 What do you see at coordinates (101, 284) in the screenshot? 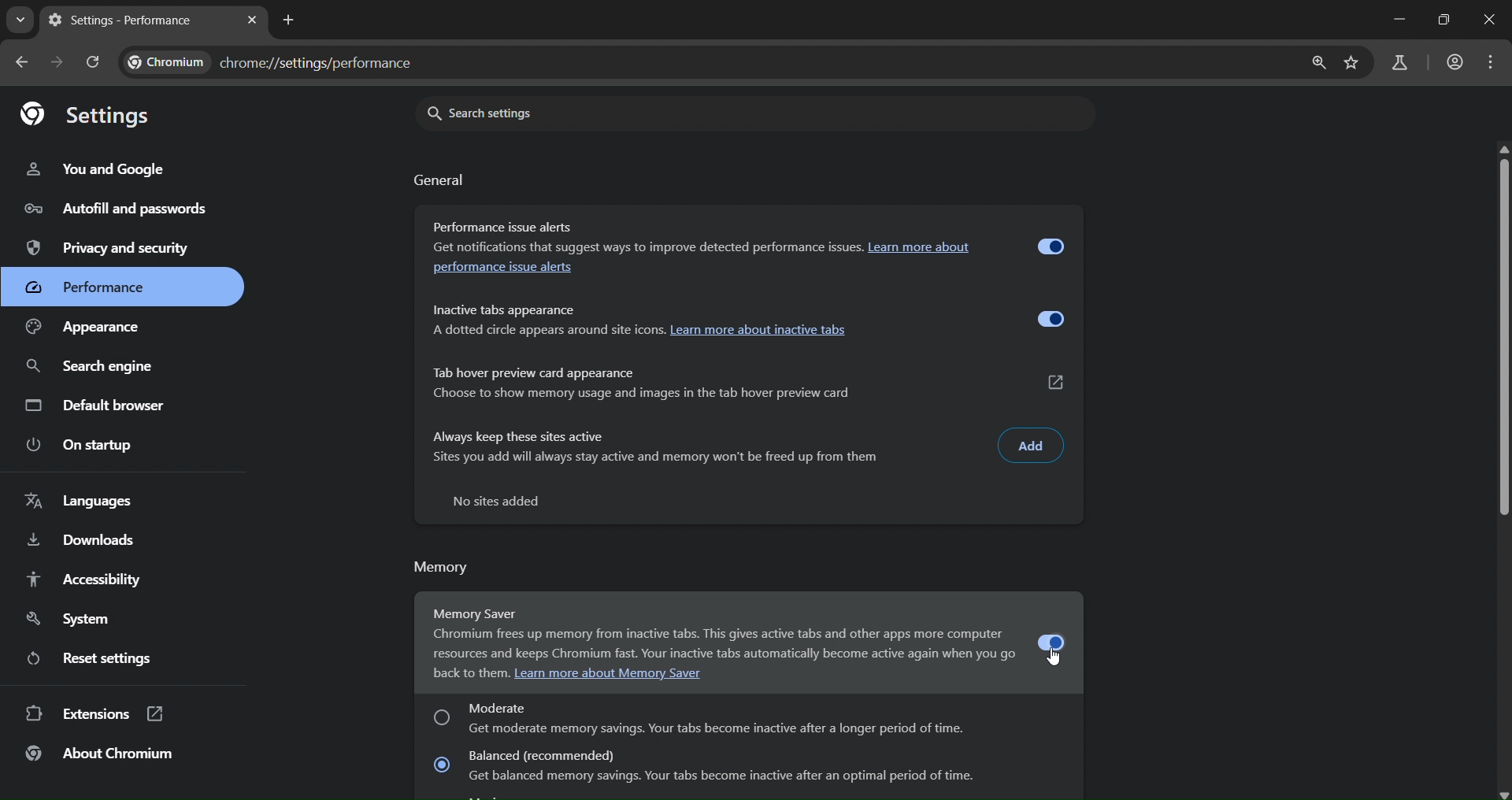
I see `performance` at bounding box center [101, 284].